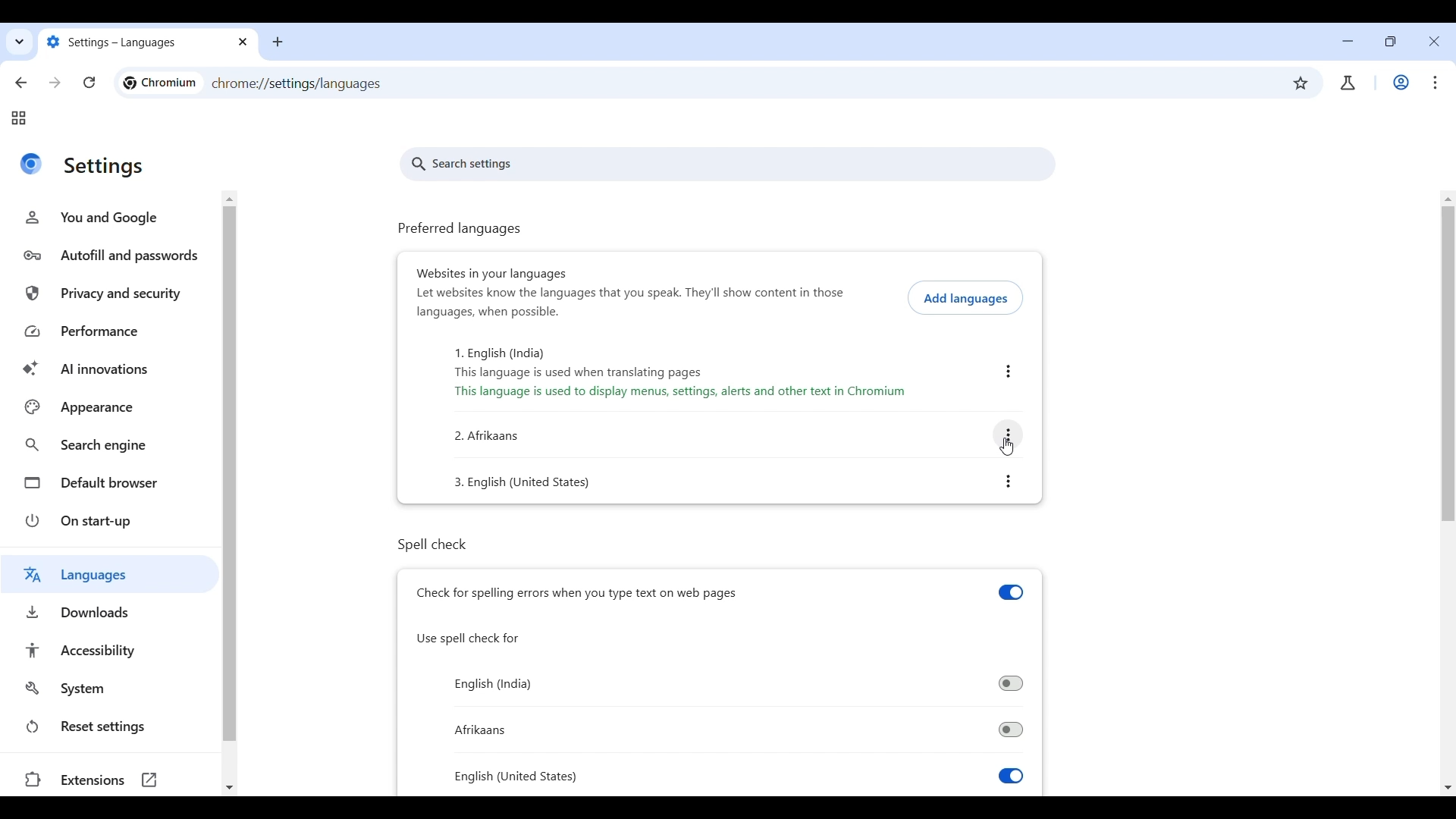  What do you see at coordinates (109, 217) in the screenshot?
I see `You and Google` at bounding box center [109, 217].